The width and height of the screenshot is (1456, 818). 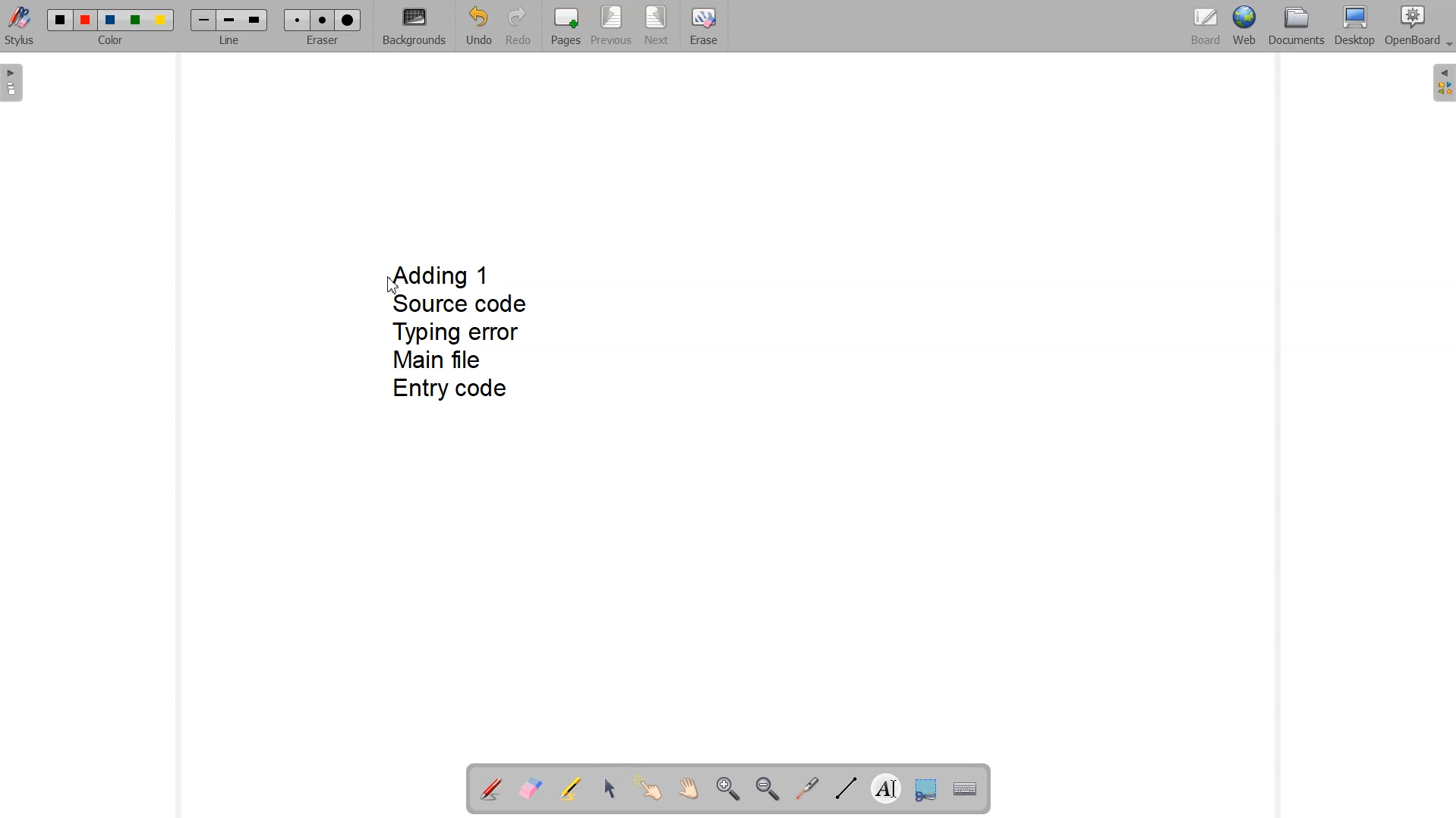 What do you see at coordinates (490, 787) in the screenshot?
I see `Annotation document` at bounding box center [490, 787].